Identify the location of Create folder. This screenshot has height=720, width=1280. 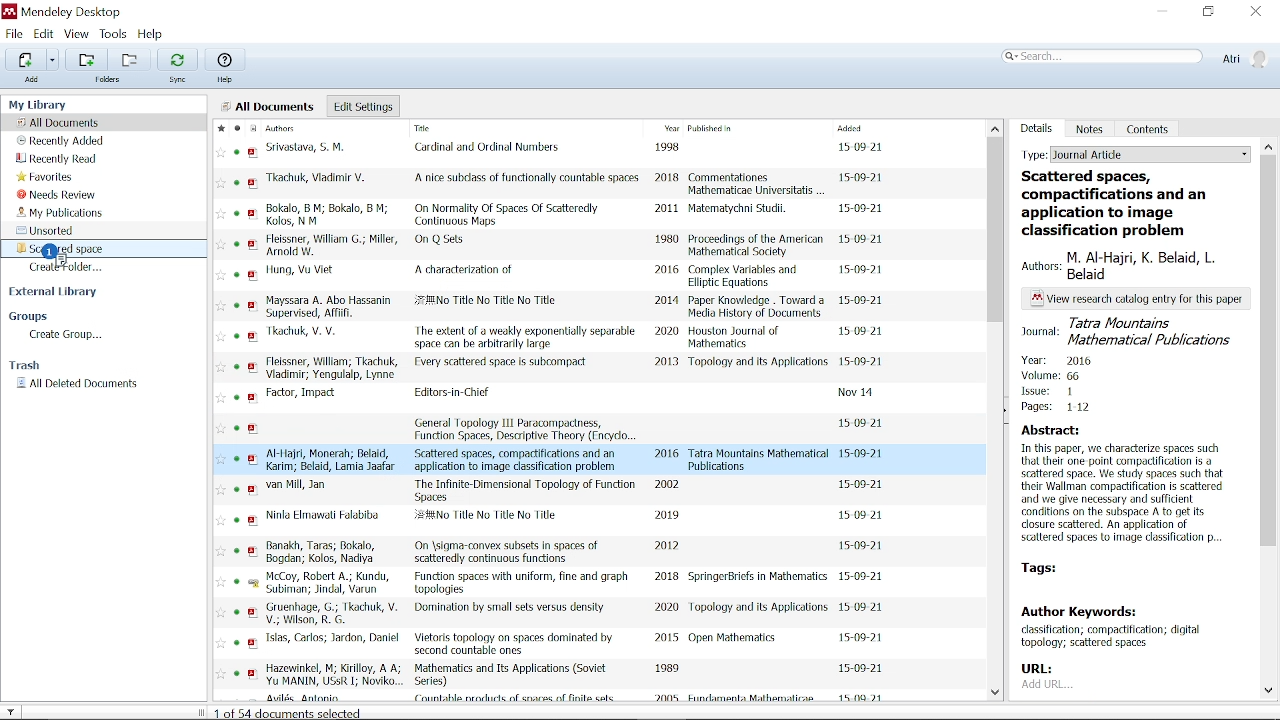
(70, 267).